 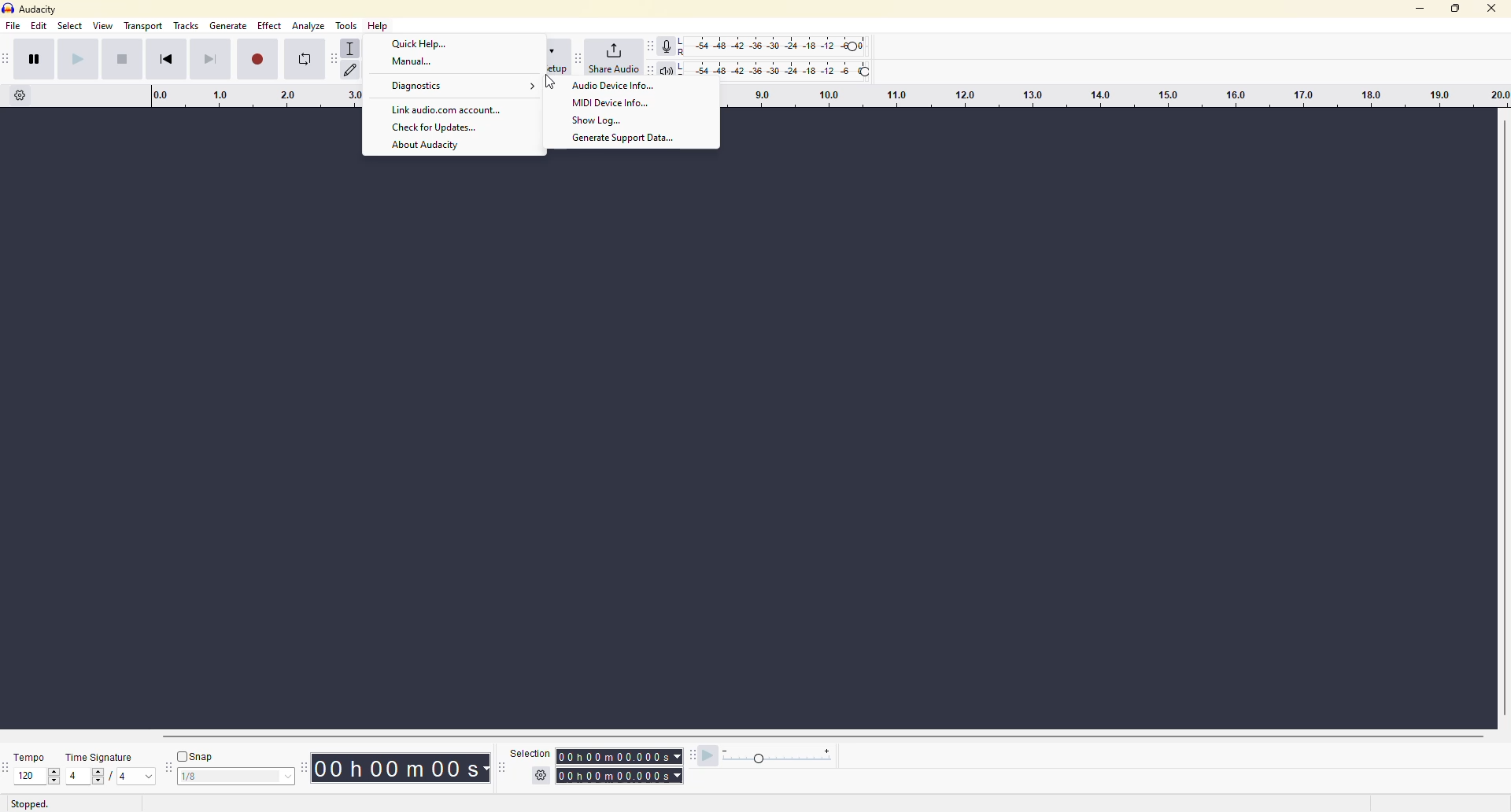 I want to click on playback level, so click(x=783, y=68).